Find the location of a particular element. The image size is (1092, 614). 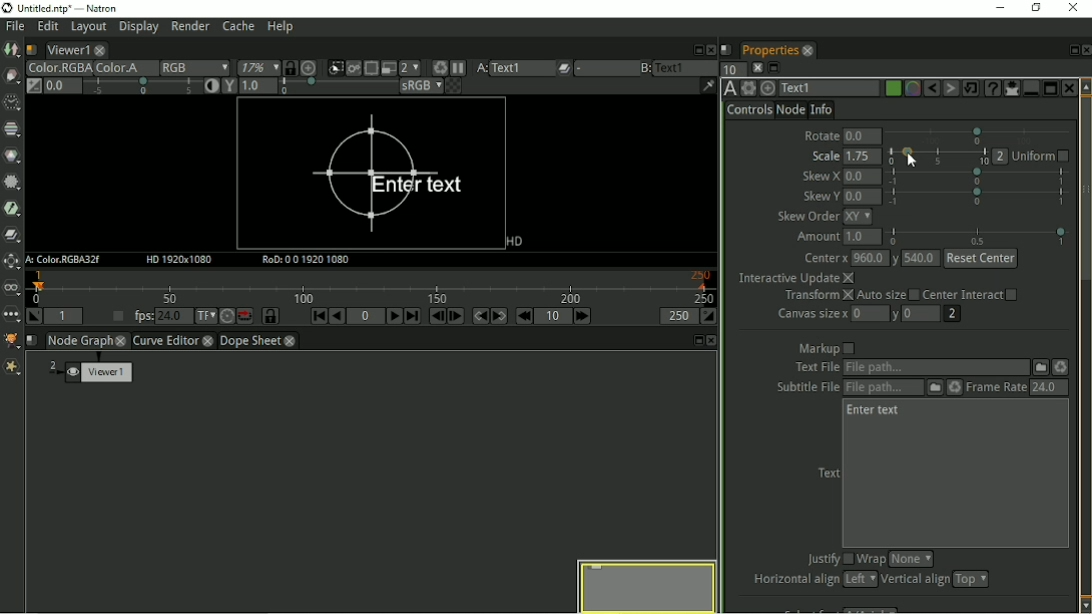

Node color is located at coordinates (892, 87).